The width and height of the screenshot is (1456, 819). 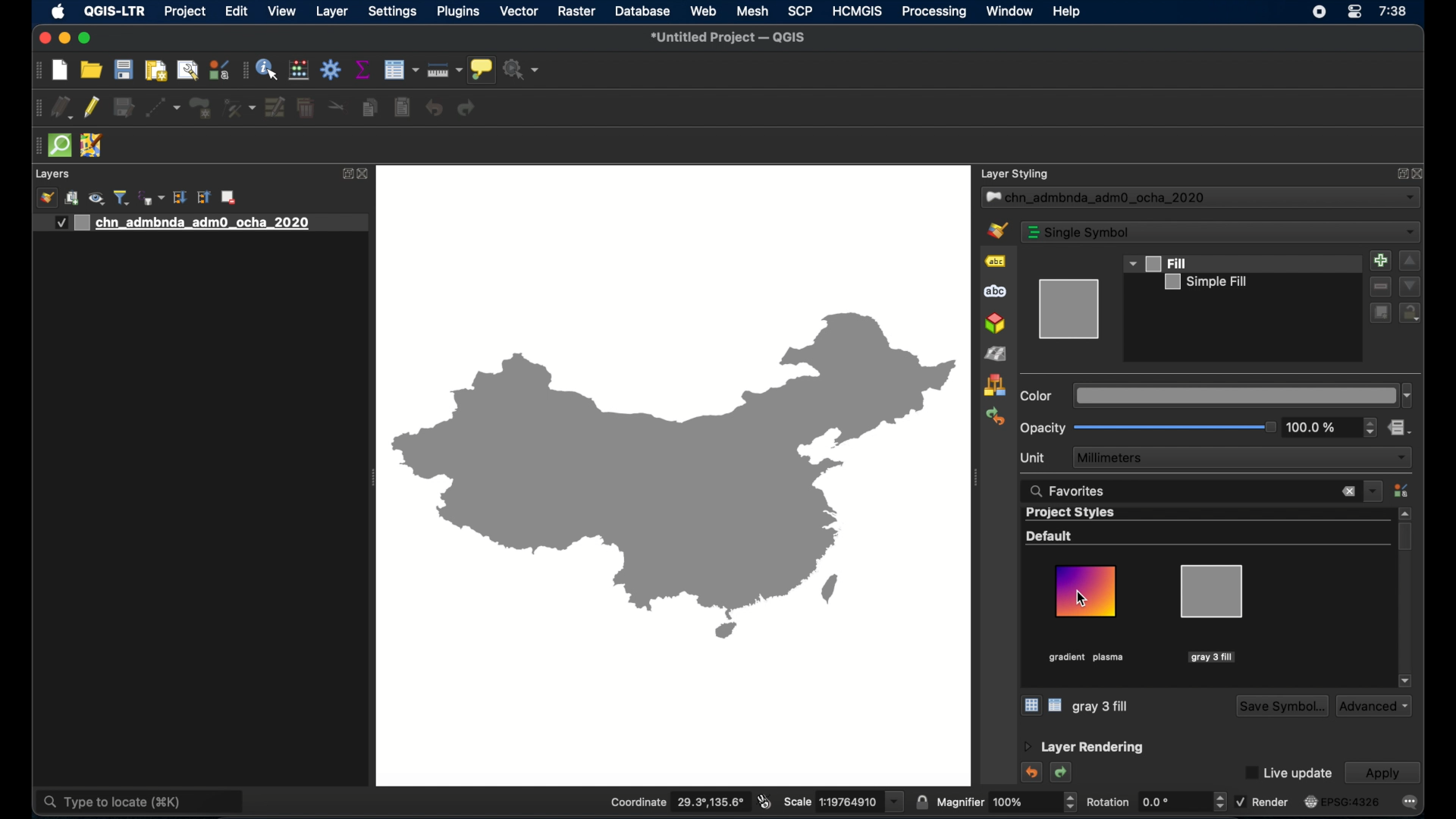 I want to click on SCP, so click(x=801, y=11).